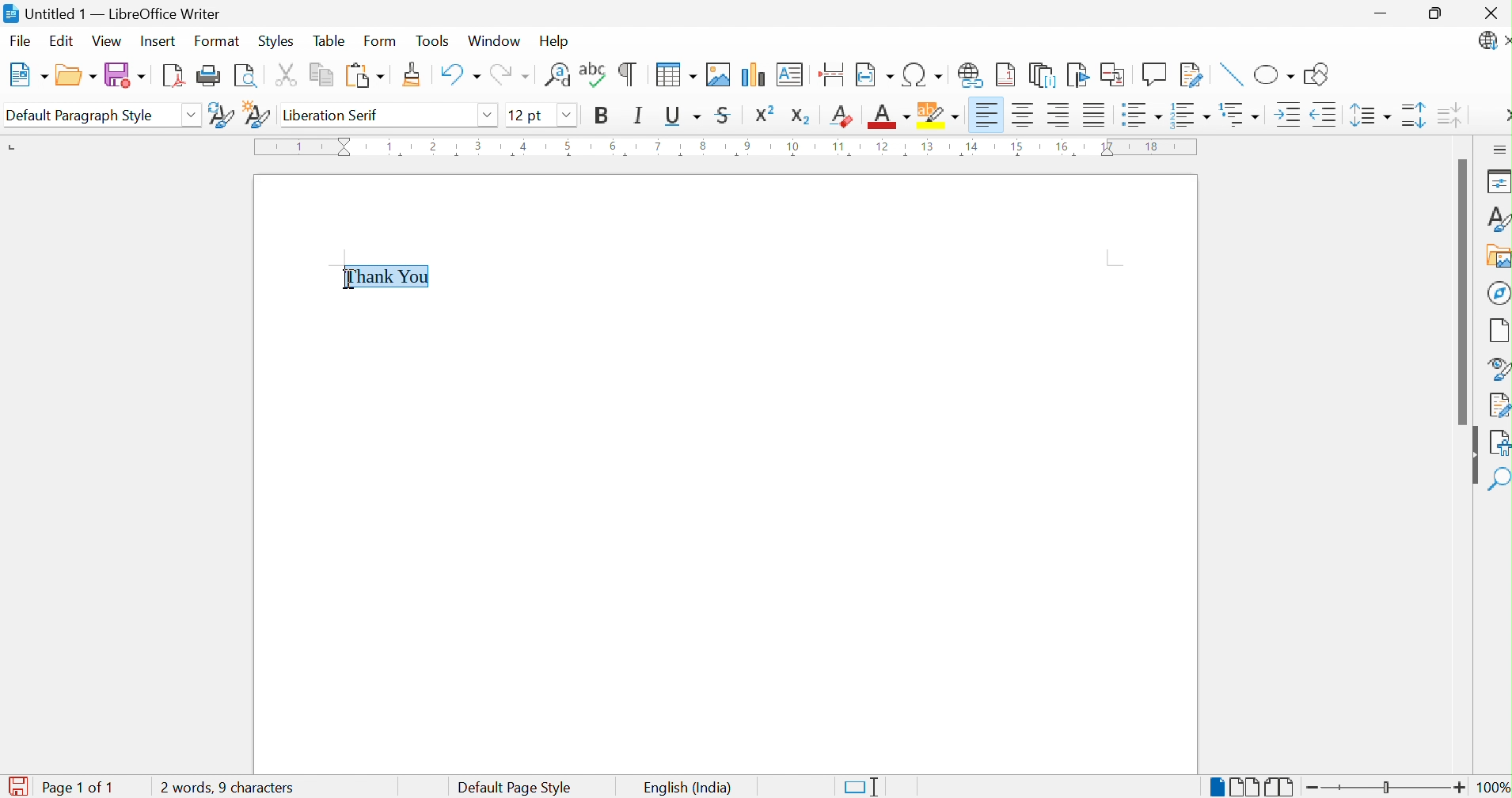 The height and width of the screenshot is (798, 1512). Describe the element at coordinates (1281, 785) in the screenshot. I see `Book View` at that location.